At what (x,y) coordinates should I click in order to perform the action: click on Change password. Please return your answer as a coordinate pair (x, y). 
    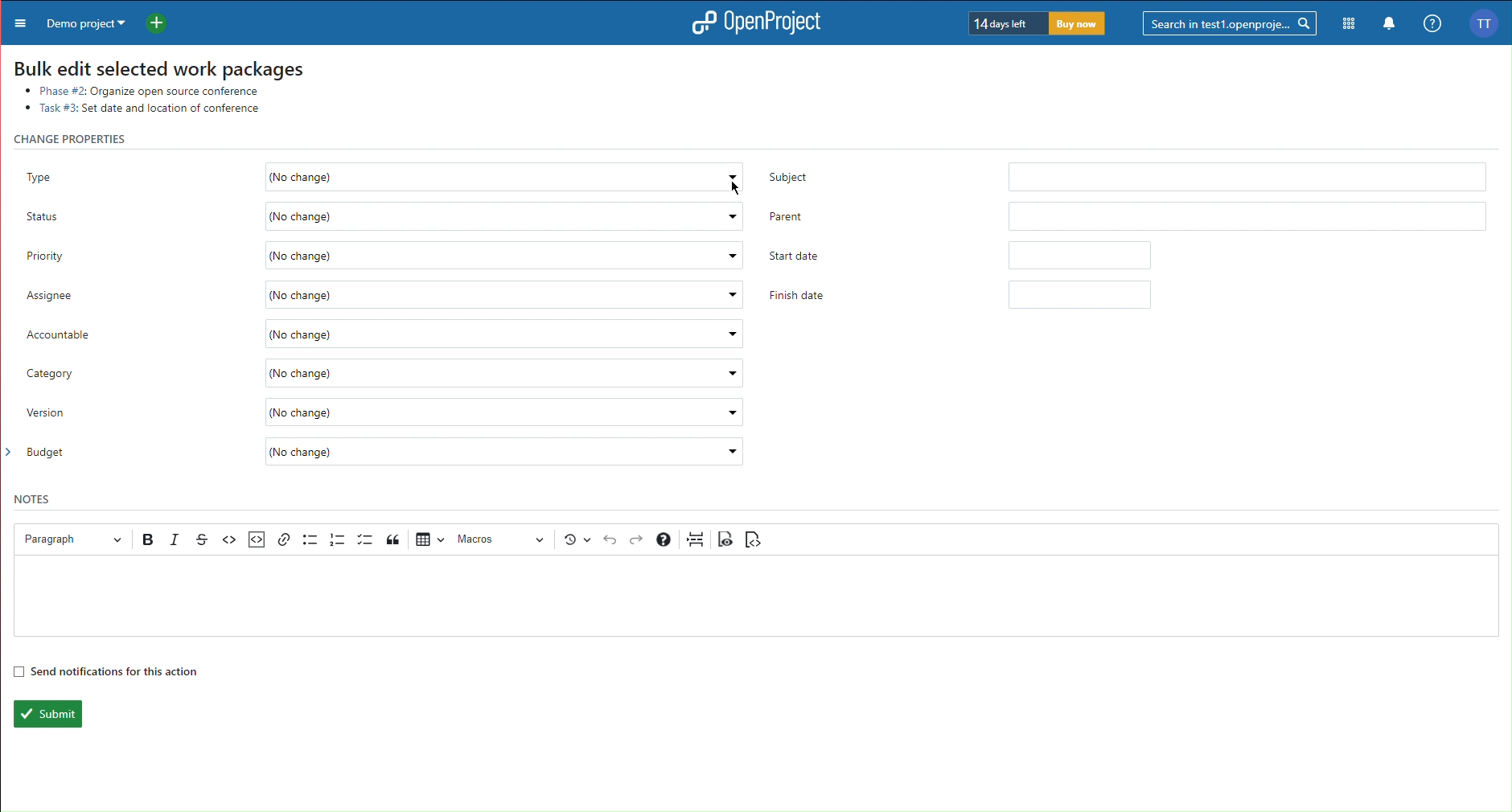
    Looking at the image, I should click on (78, 138).